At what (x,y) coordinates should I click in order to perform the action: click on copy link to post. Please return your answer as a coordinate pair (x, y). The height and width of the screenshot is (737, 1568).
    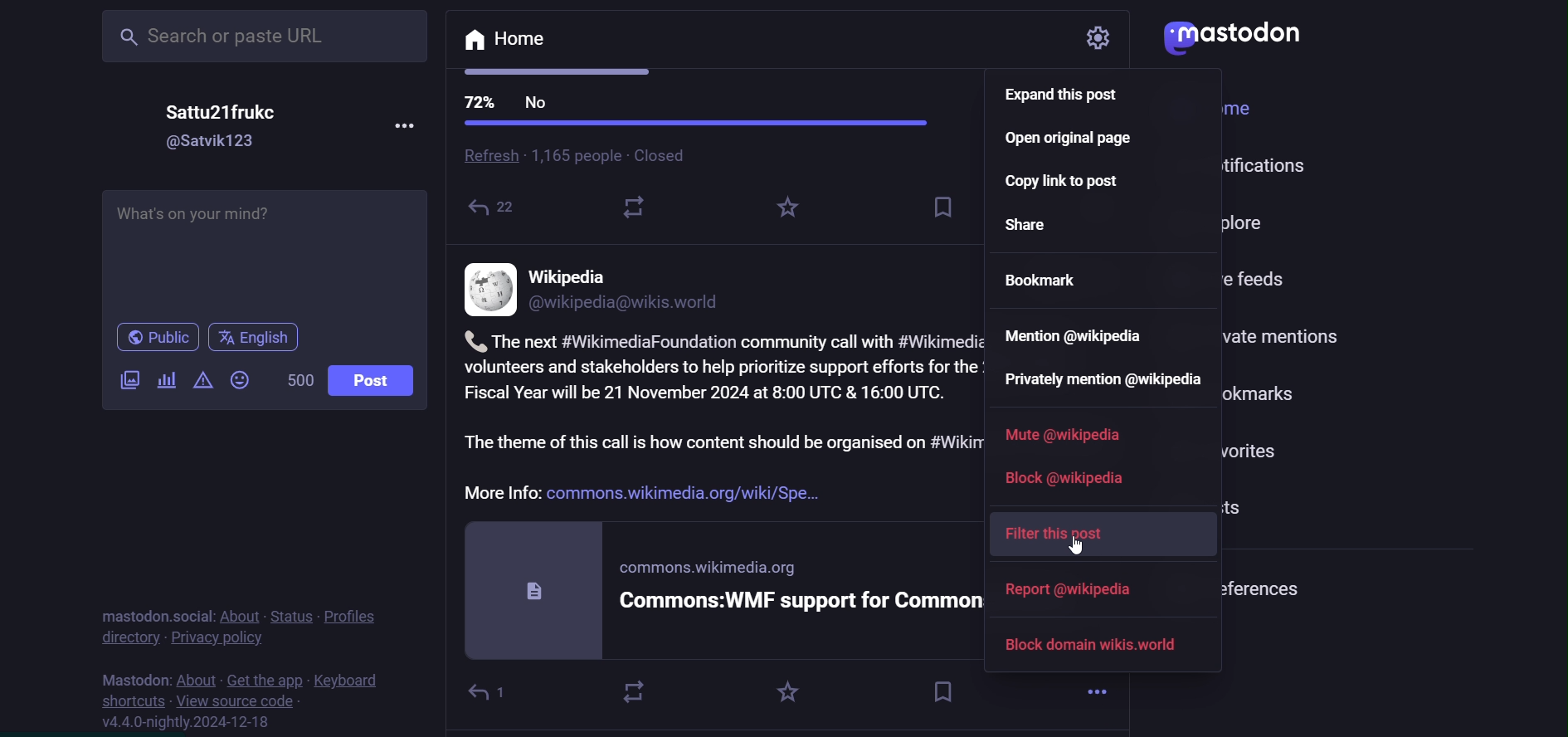
    Looking at the image, I should click on (1062, 182).